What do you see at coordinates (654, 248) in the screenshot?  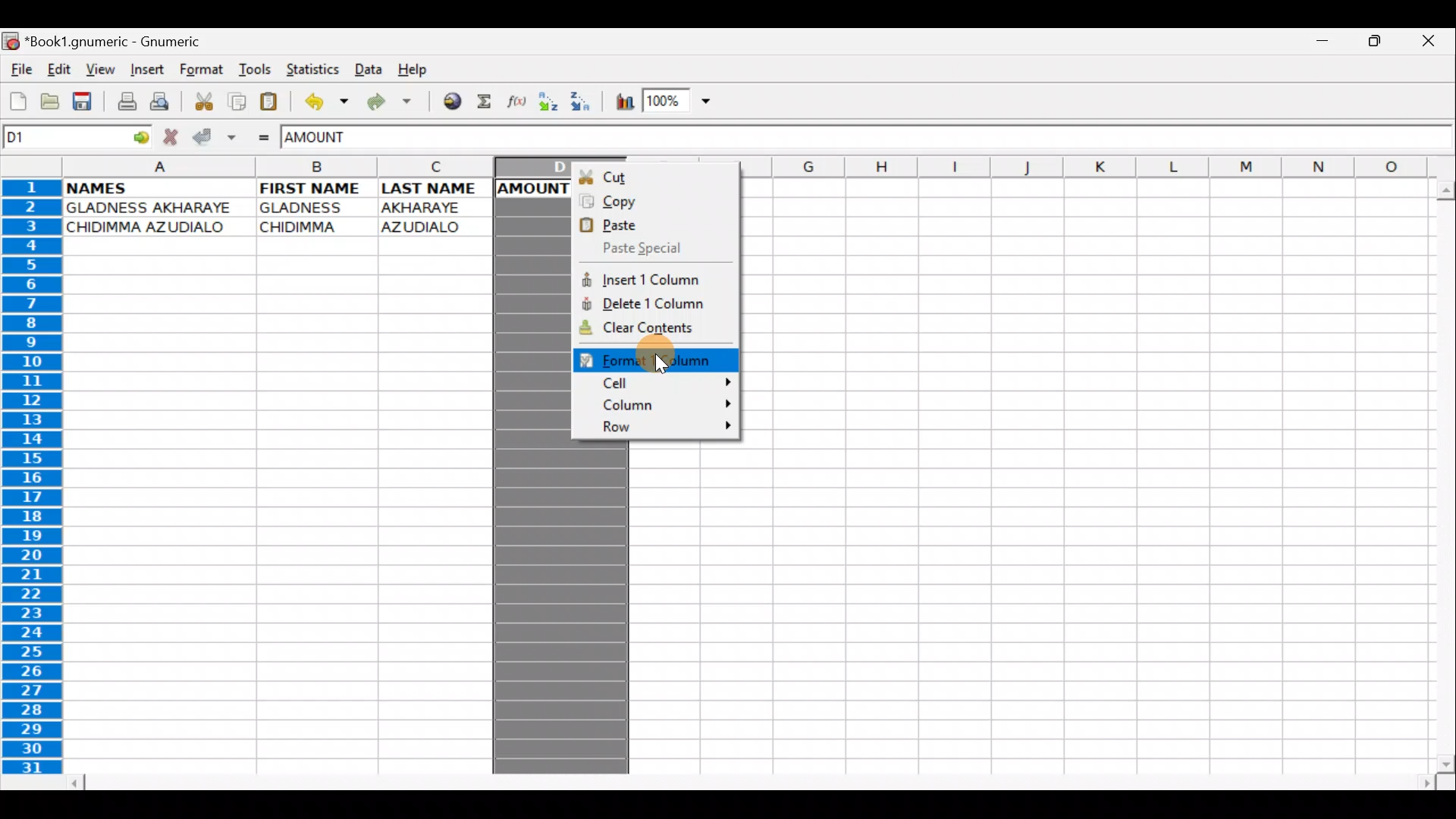 I see `Paste special` at bounding box center [654, 248].